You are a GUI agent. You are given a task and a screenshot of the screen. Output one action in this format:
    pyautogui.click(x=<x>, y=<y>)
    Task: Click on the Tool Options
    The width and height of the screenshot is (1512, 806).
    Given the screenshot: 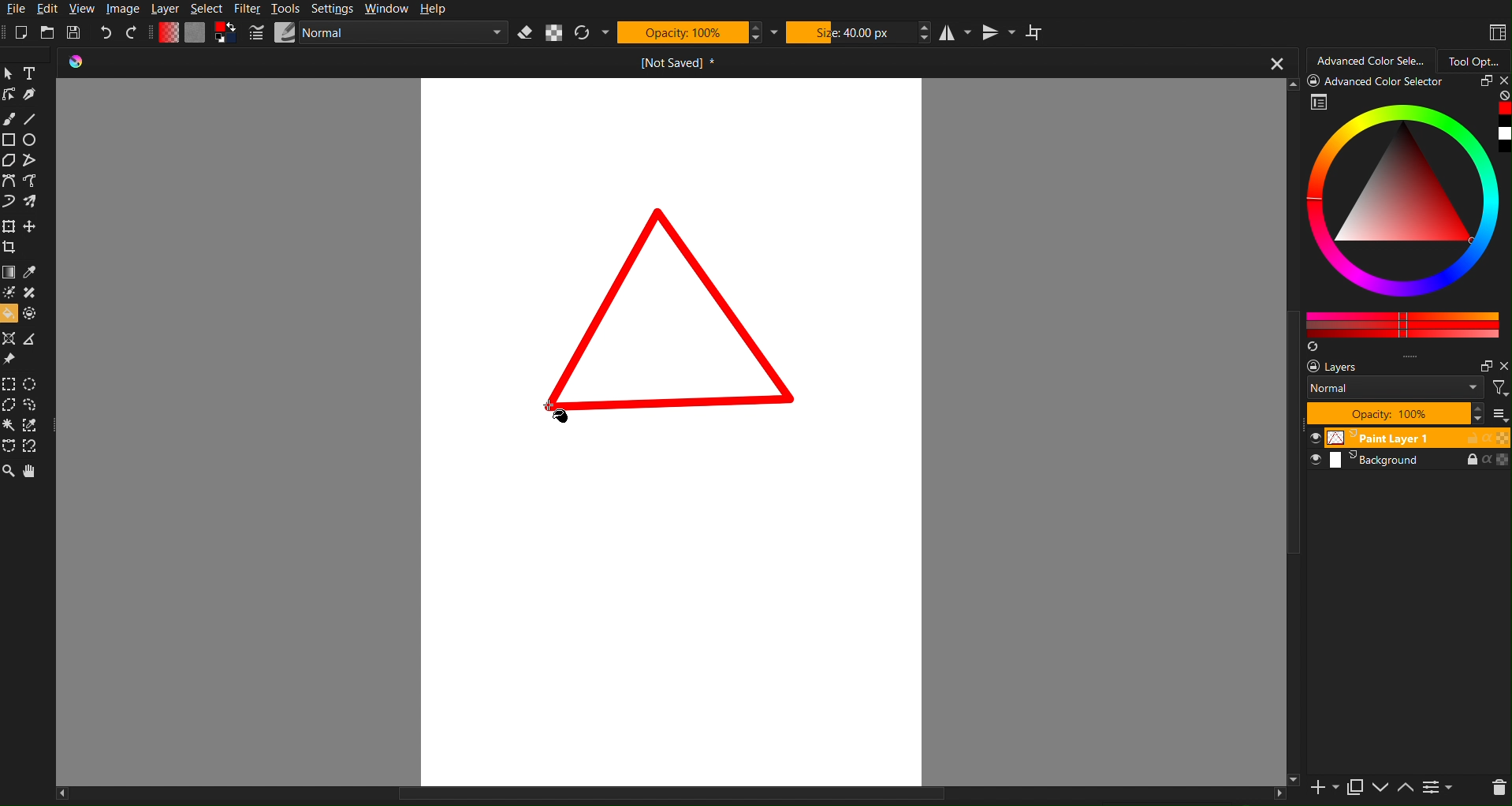 What is the action you would take?
    pyautogui.click(x=1478, y=58)
    